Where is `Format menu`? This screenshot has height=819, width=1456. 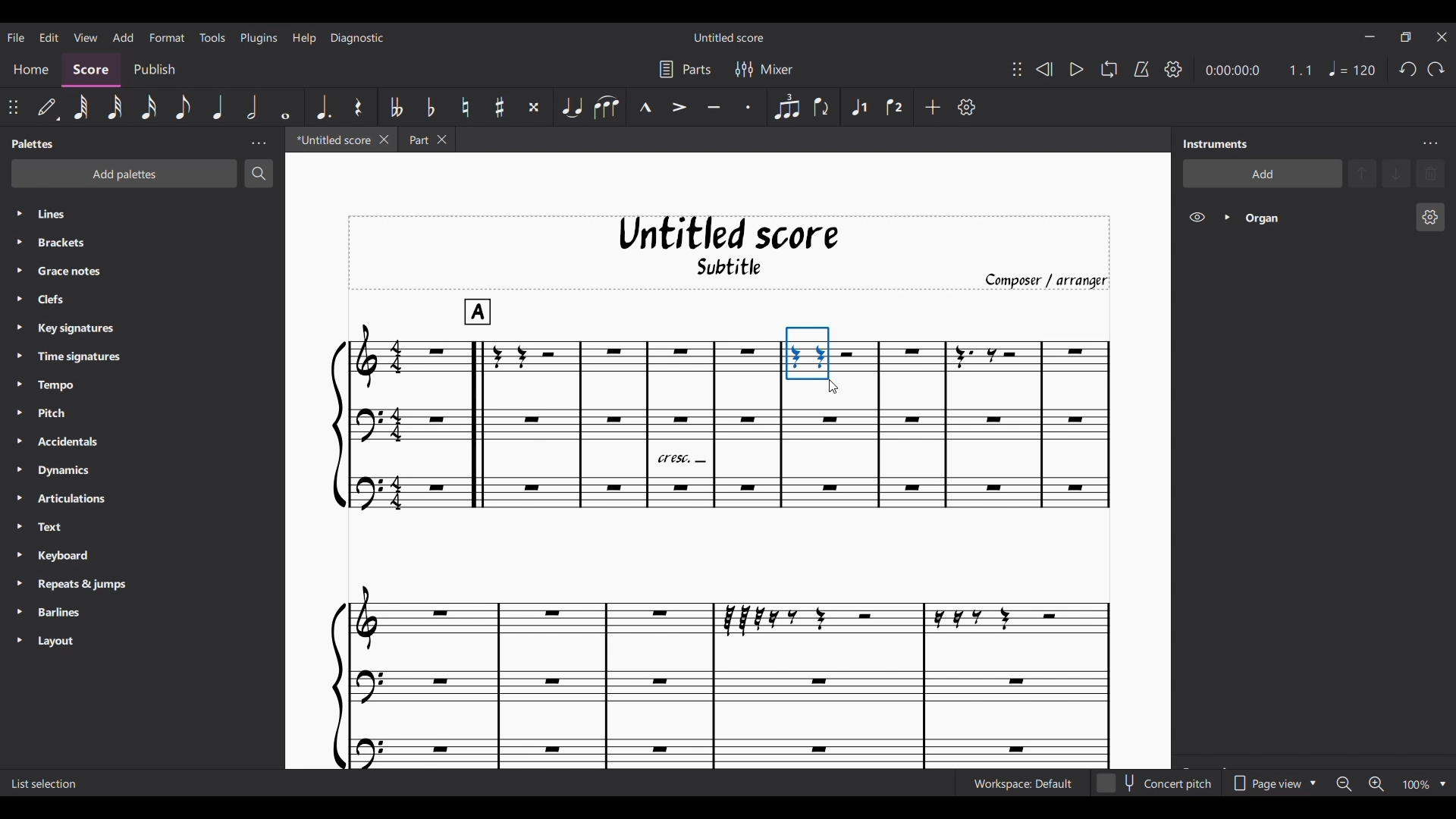 Format menu is located at coordinates (166, 35).